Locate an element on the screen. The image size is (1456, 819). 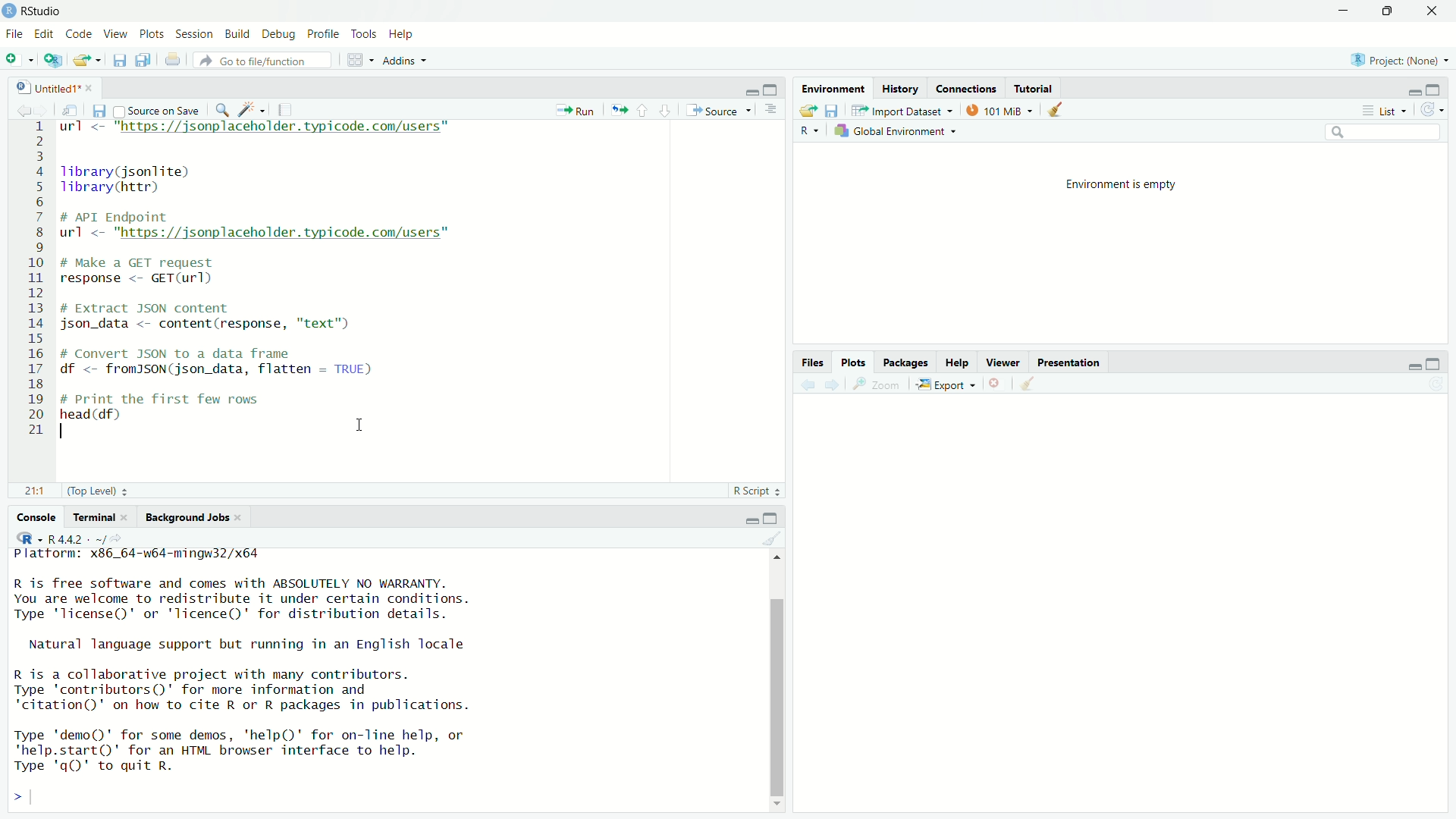
# Convert JSON to a data frame
df <- fromJSON(json_data, flatten = TRUE) is located at coordinates (220, 362).